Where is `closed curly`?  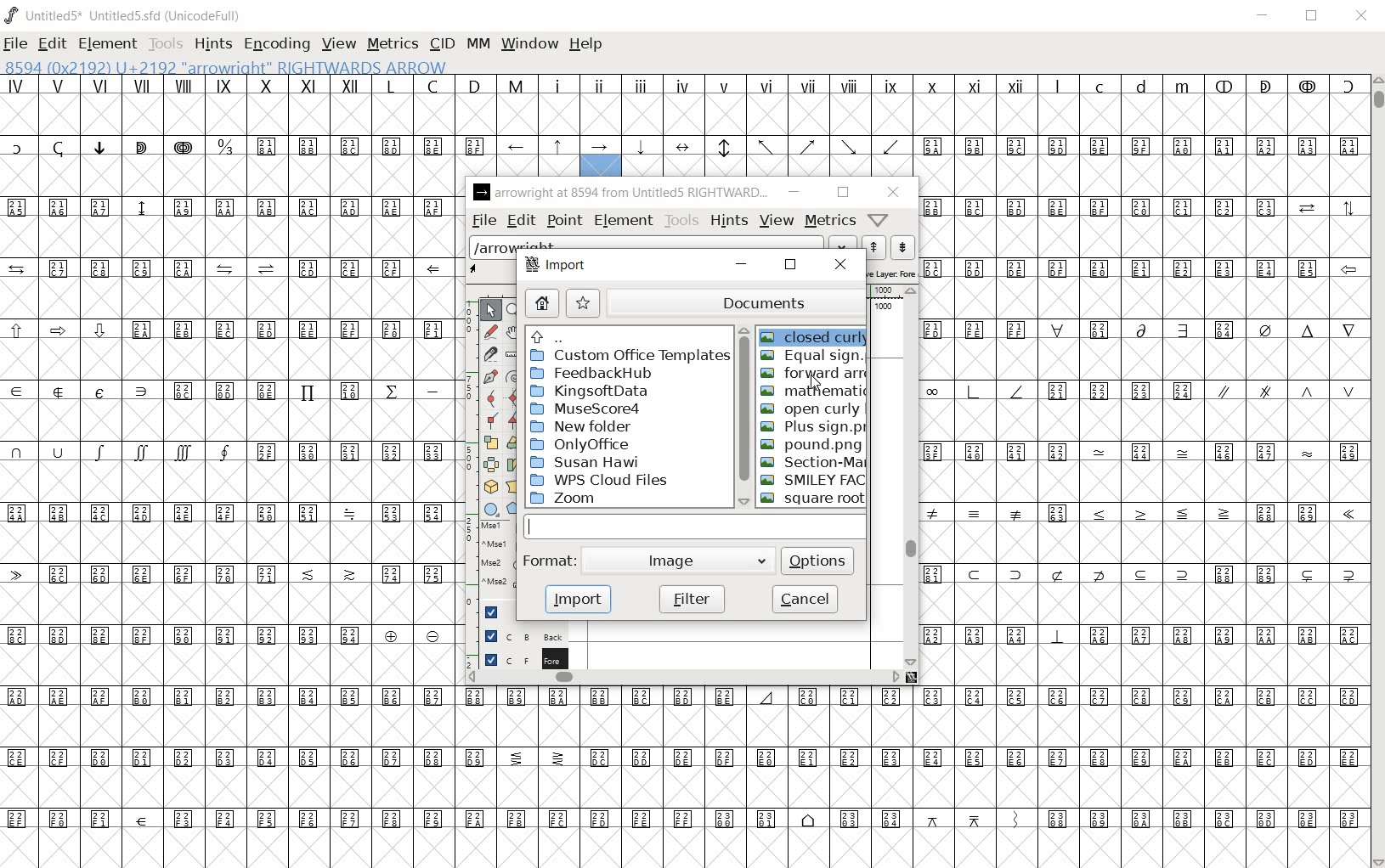
closed curly is located at coordinates (814, 334).